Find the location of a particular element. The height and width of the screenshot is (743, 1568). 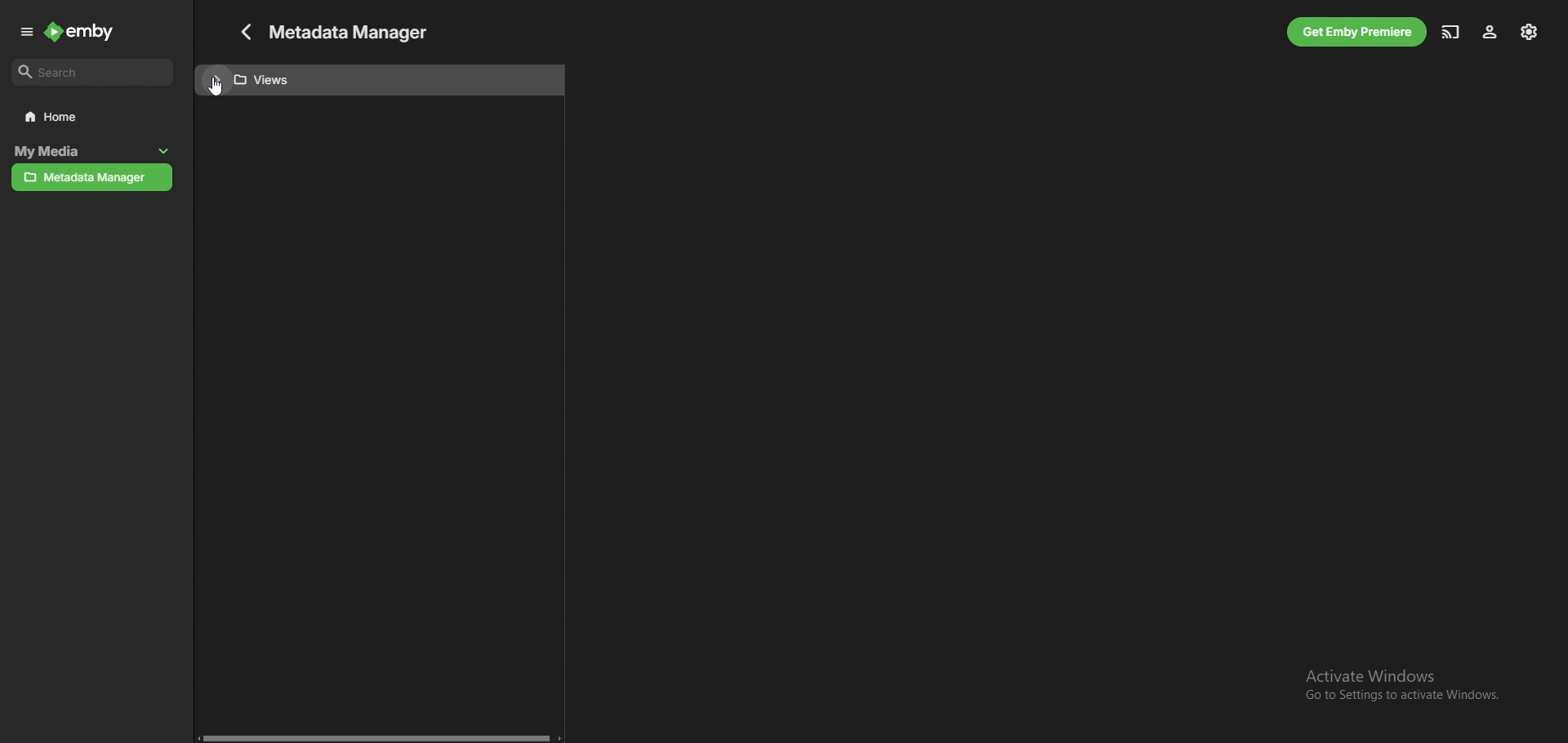

metadata manager is located at coordinates (92, 178).